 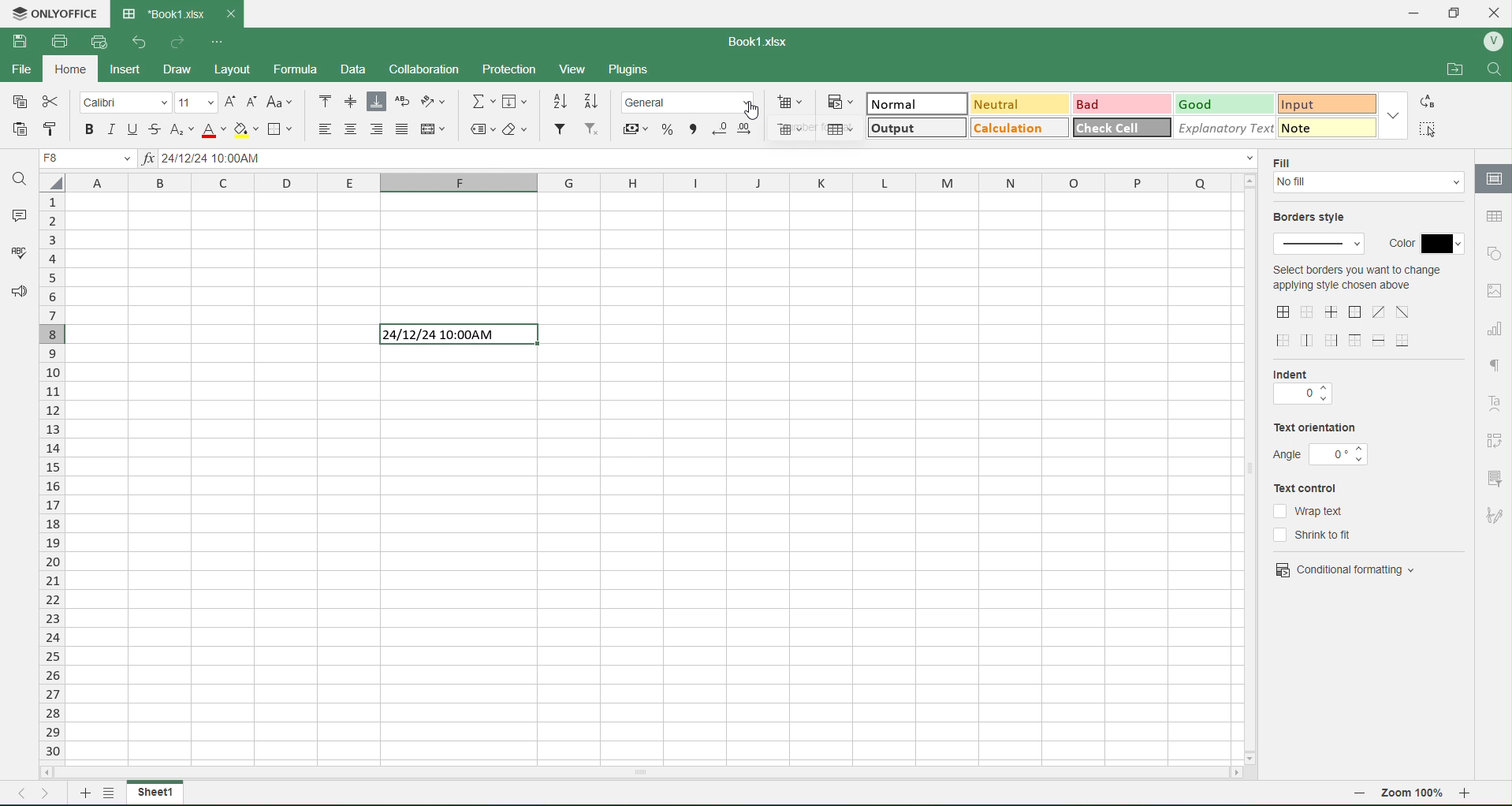 What do you see at coordinates (1396, 114) in the screenshot?
I see `Formatting Box` at bounding box center [1396, 114].